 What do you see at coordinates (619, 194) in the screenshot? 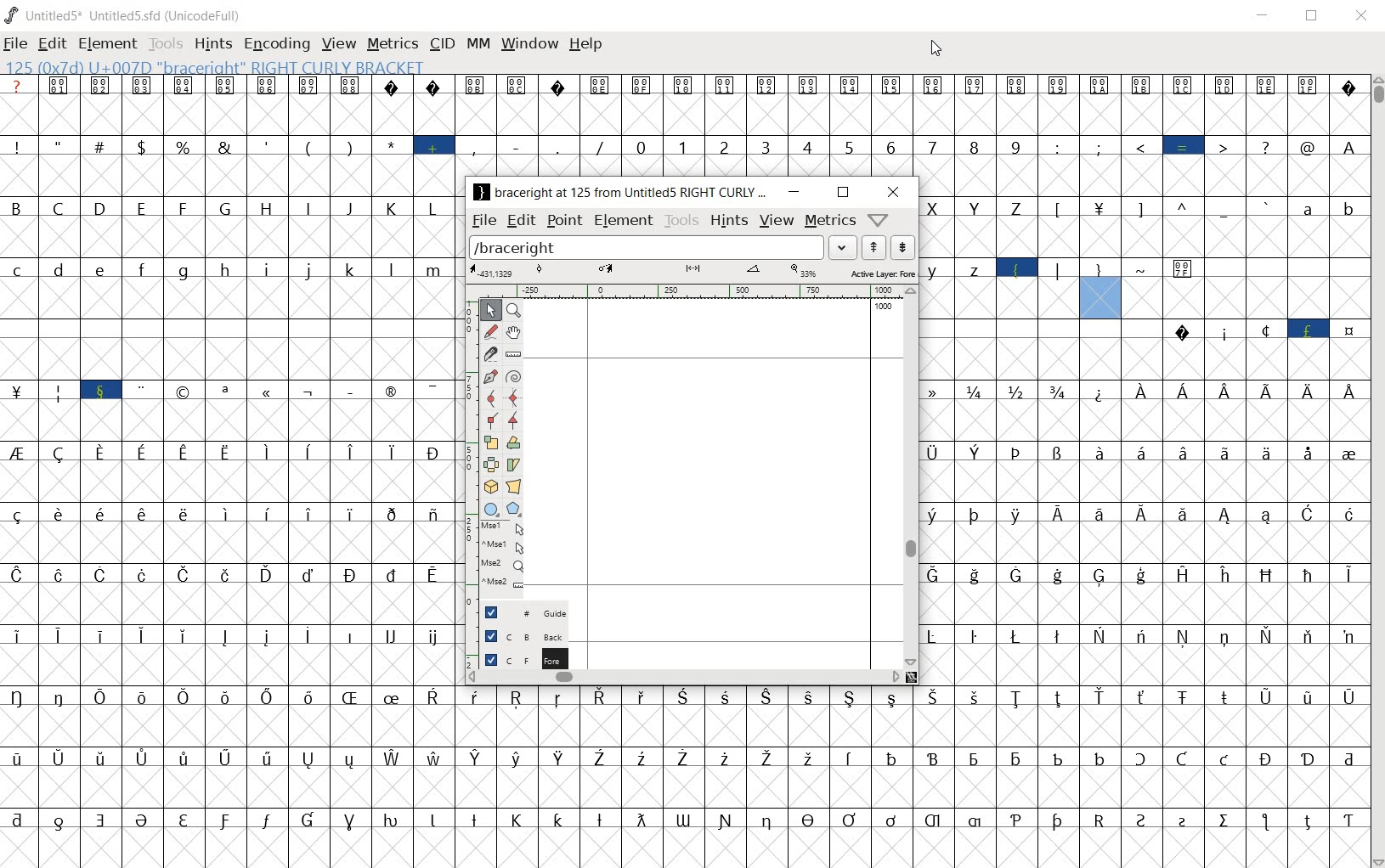
I see `braceright at 125 from Untitled5 RIGHT CURLY ...` at bounding box center [619, 194].